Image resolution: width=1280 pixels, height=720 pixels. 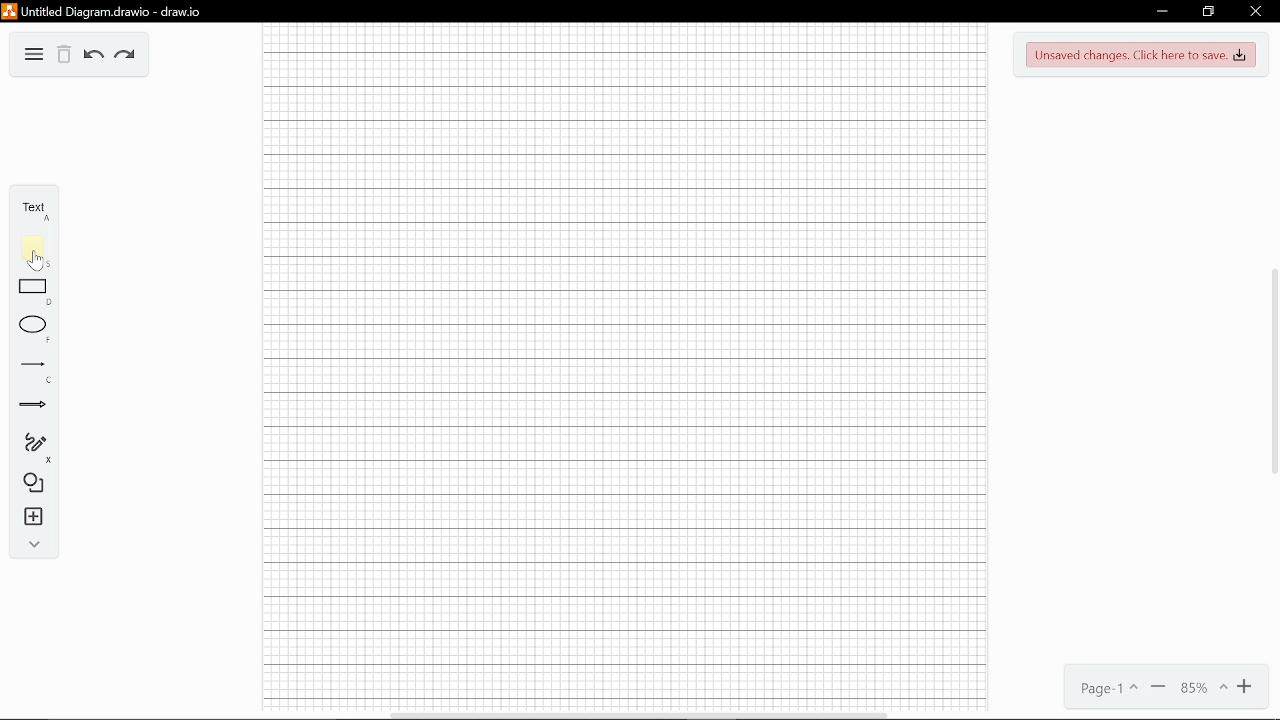 What do you see at coordinates (30, 208) in the screenshot?
I see `Text` at bounding box center [30, 208].